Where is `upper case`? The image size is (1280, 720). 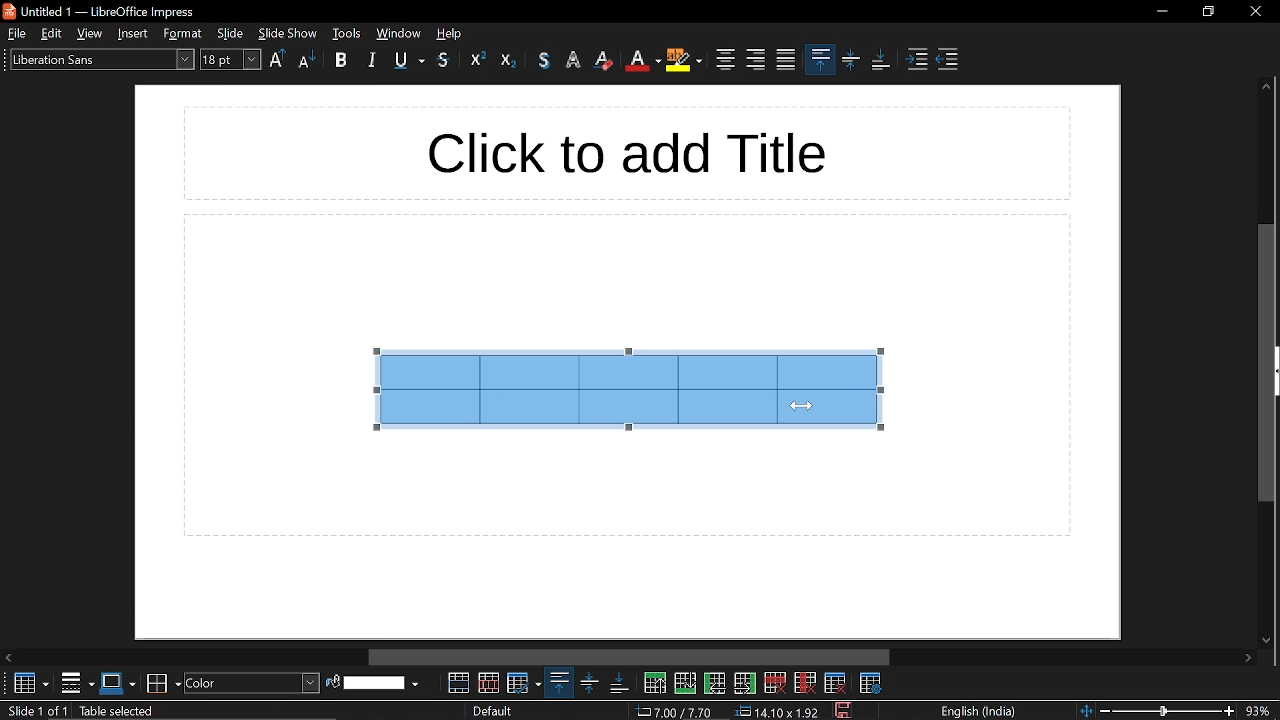 upper case is located at coordinates (277, 58).